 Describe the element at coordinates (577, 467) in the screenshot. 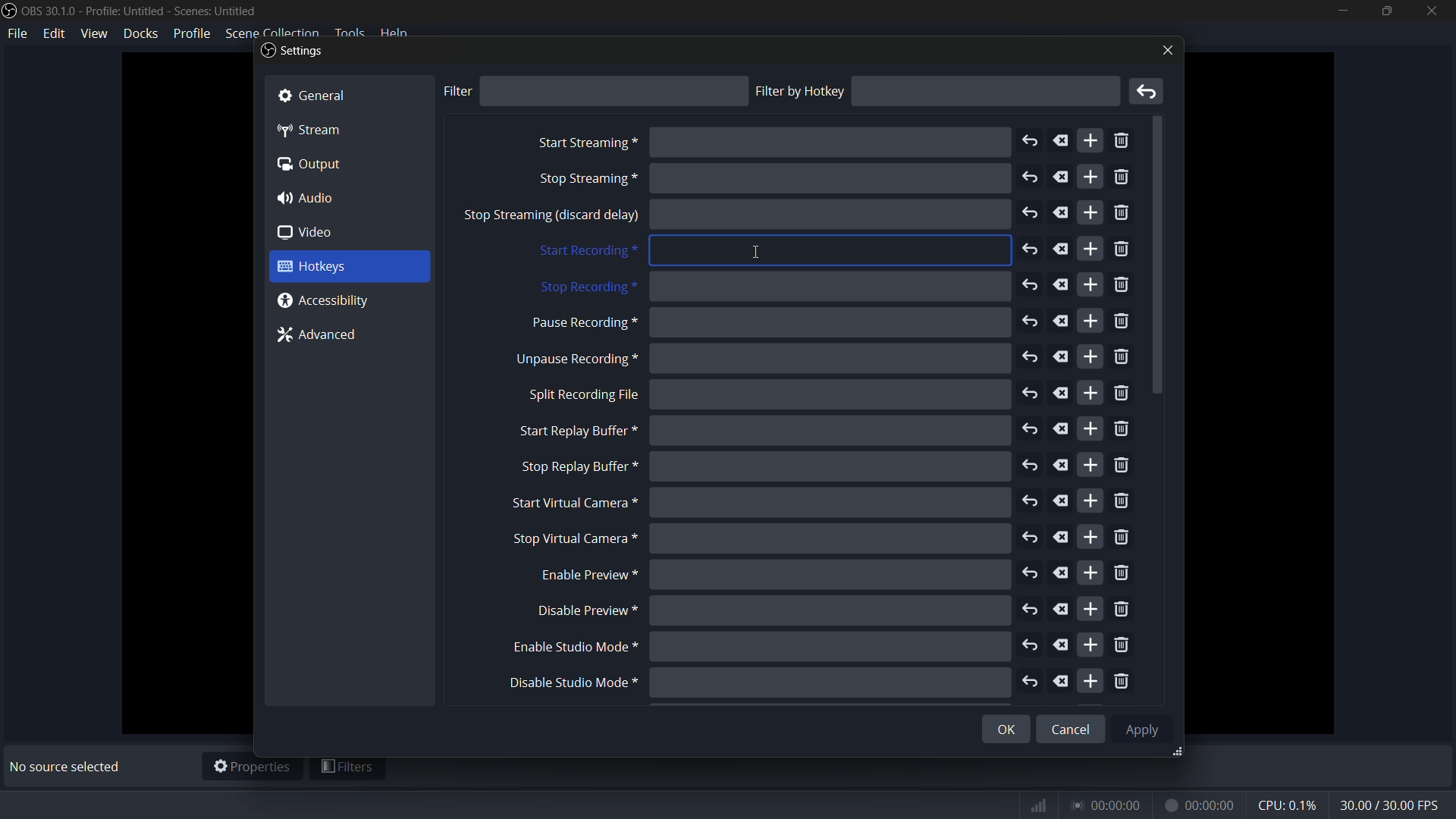

I see `stop replay buffer` at that location.